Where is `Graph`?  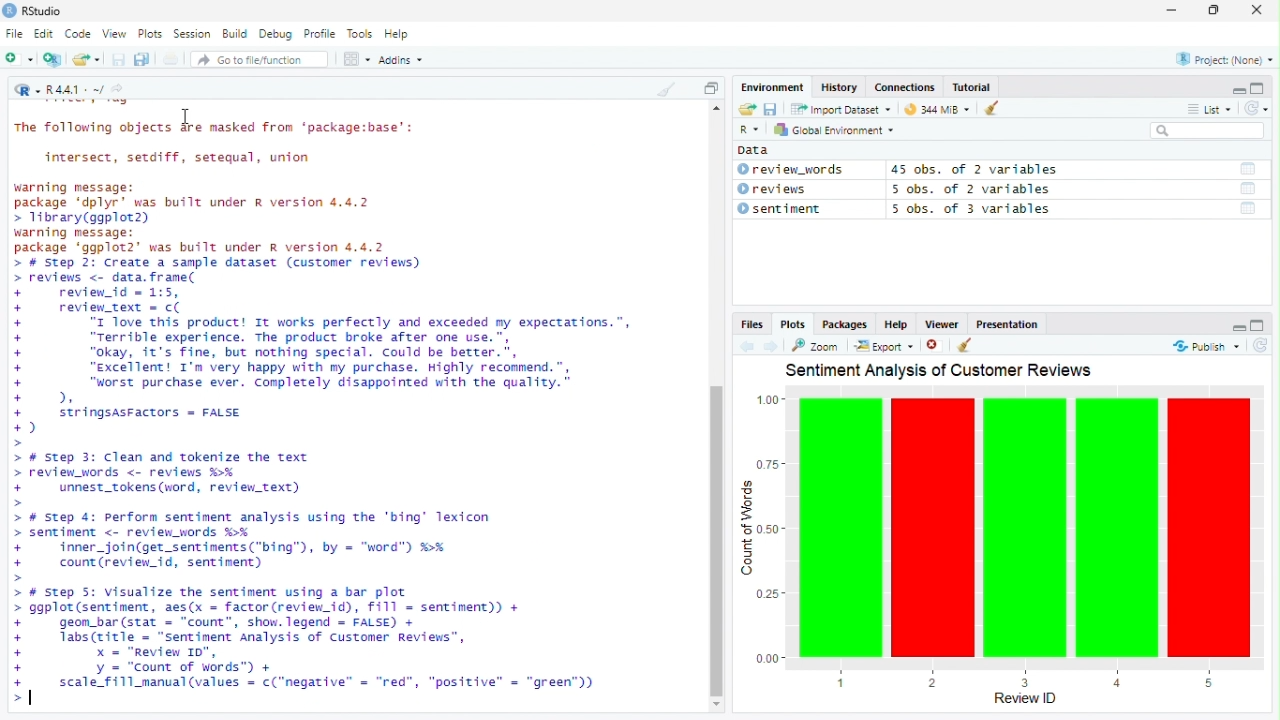 Graph is located at coordinates (1001, 534).